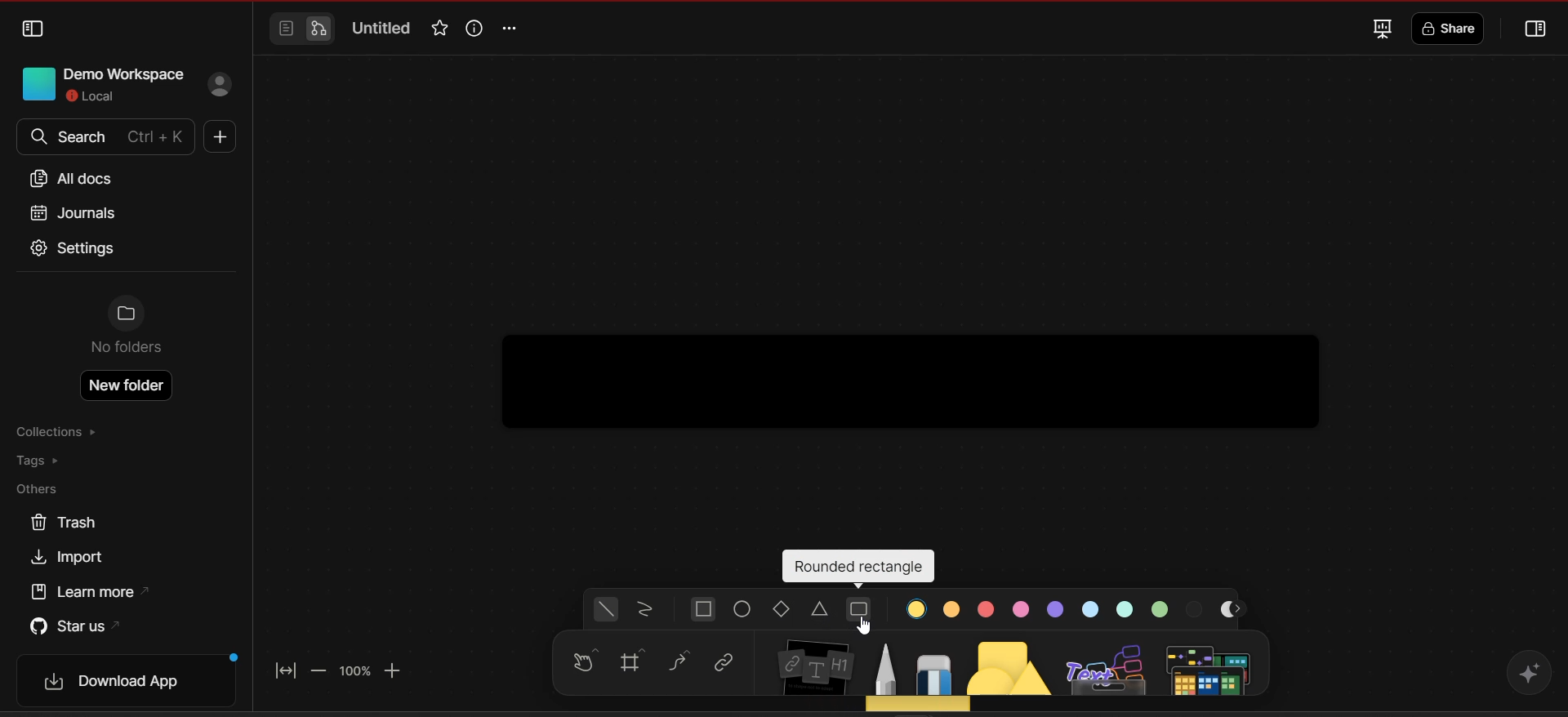 This screenshot has height=717, width=1568. What do you see at coordinates (103, 137) in the screenshot?
I see `search` at bounding box center [103, 137].